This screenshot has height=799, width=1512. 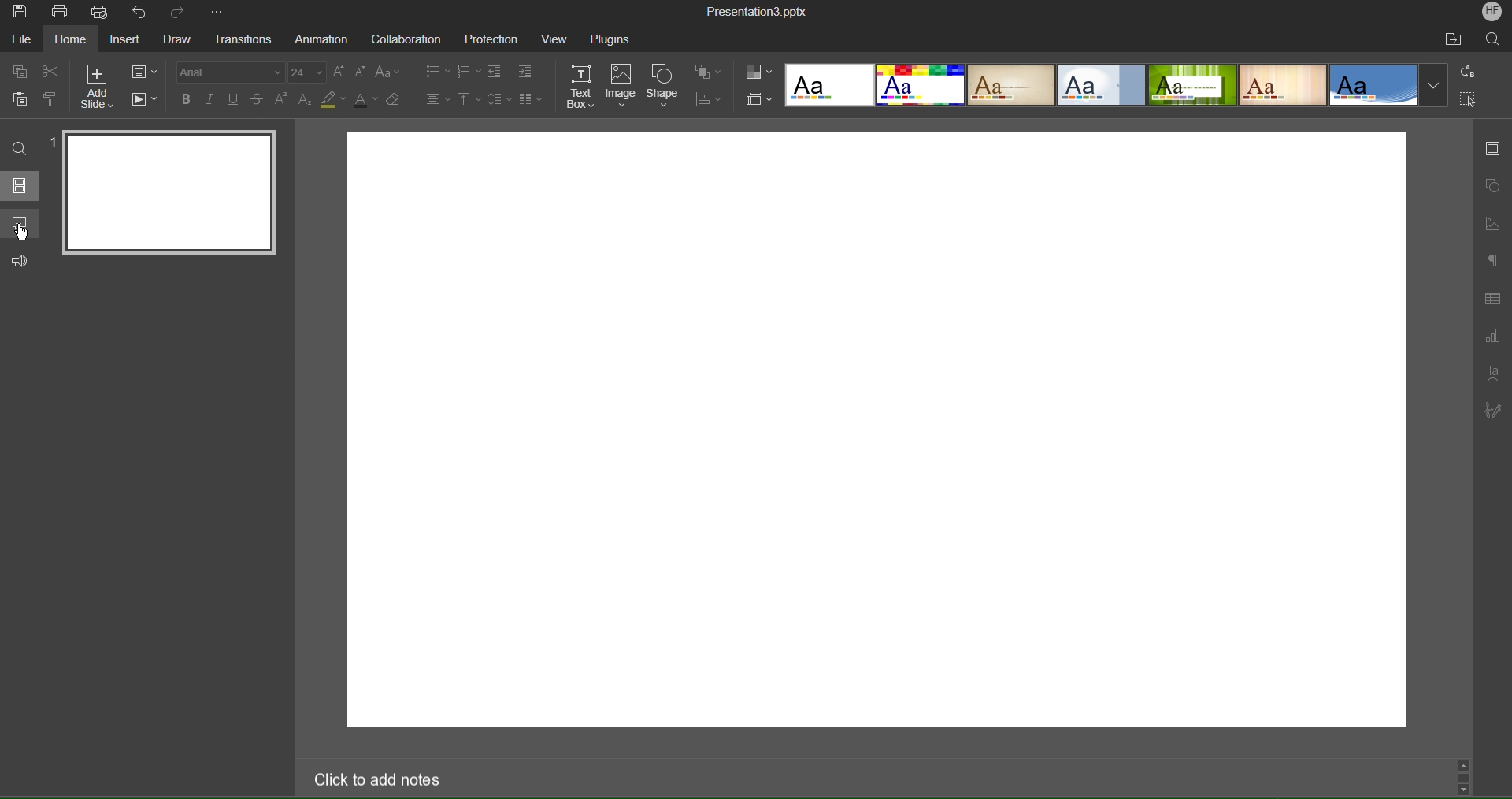 What do you see at coordinates (395, 101) in the screenshot?
I see `Erase Style` at bounding box center [395, 101].